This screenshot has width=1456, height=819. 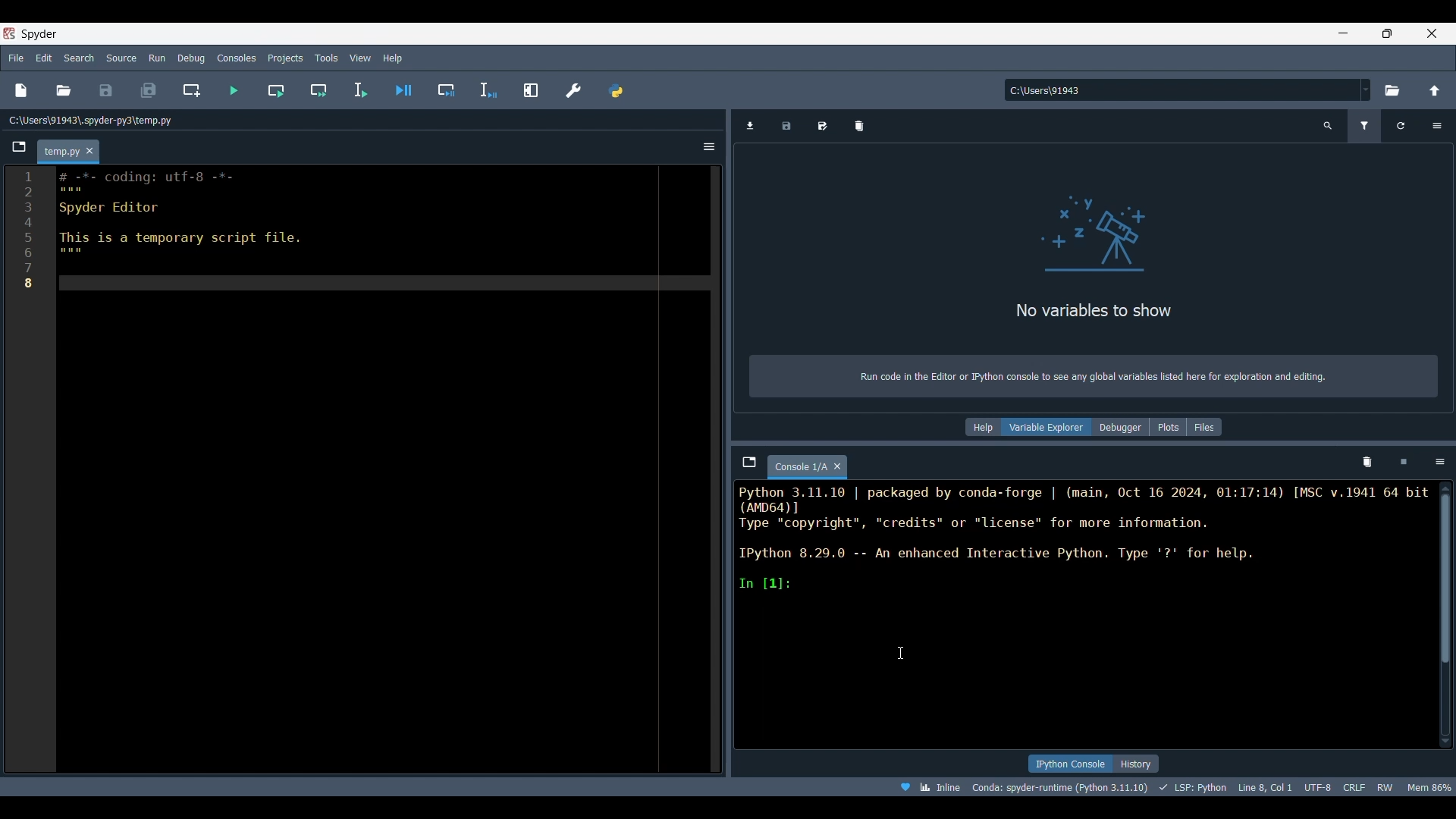 I want to click on Interrupt kernel, so click(x=1404, y=463).